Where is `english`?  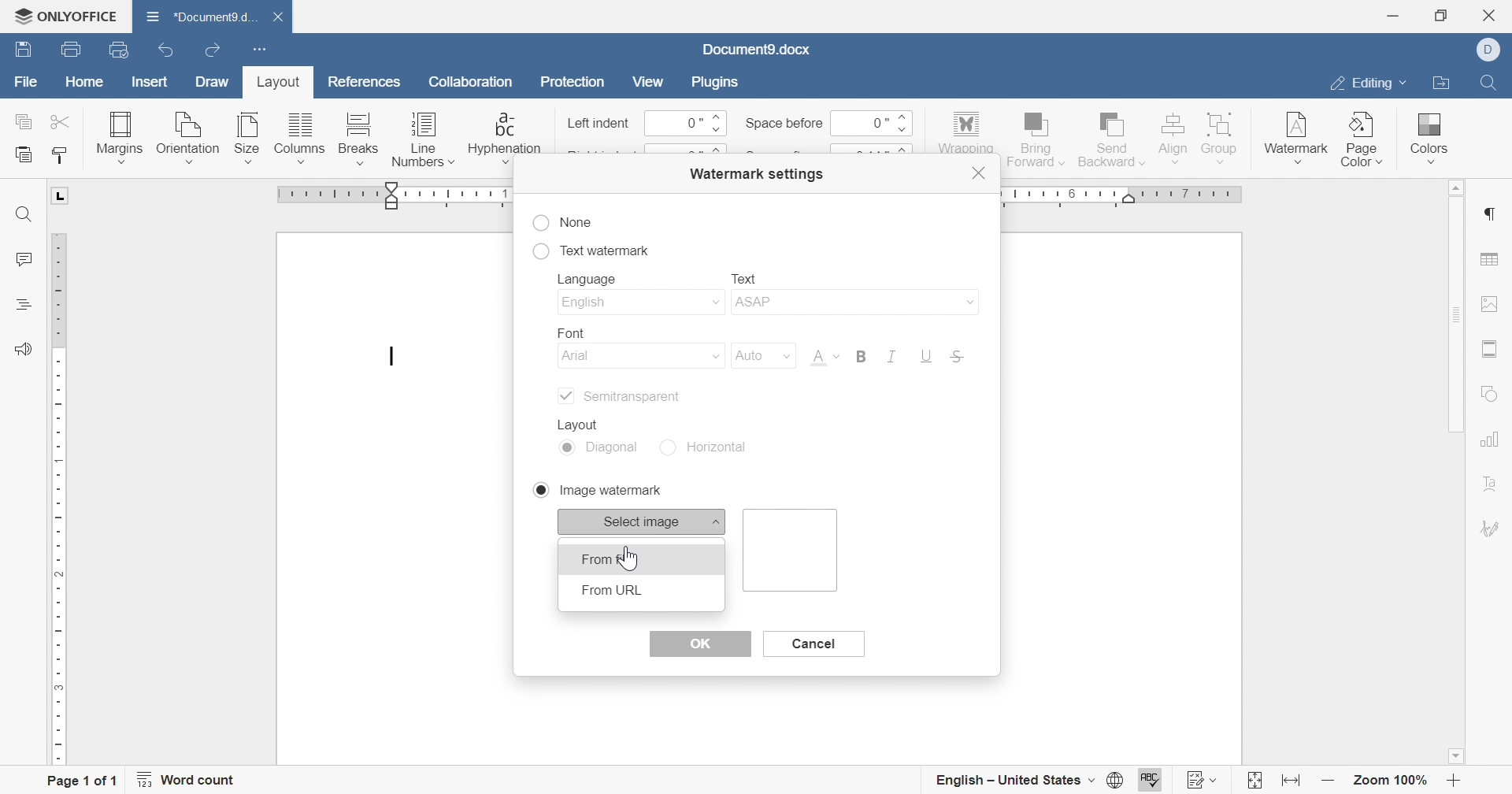
english is located at coordinates (639, 303).